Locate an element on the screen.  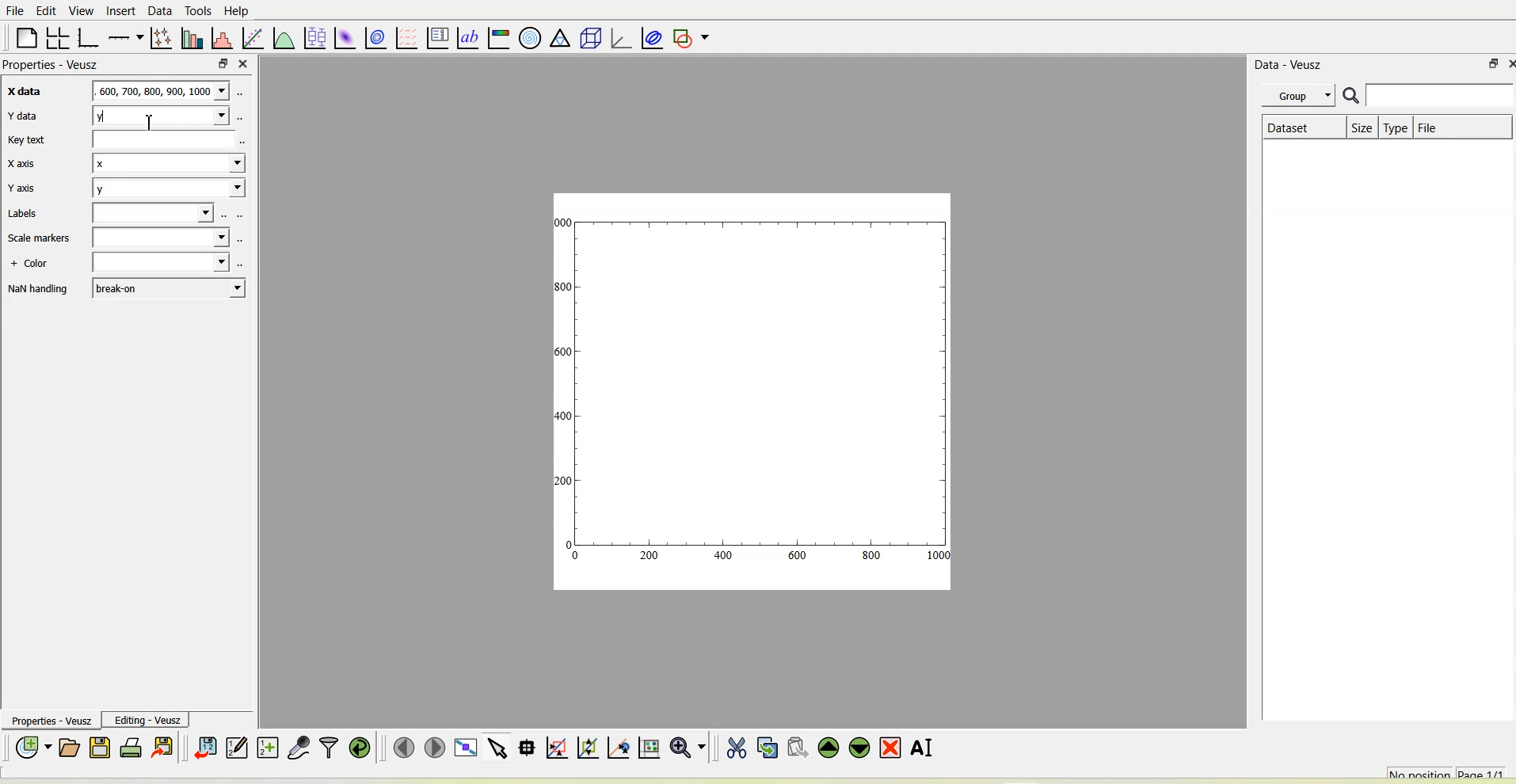
Click to recenter graph axes is located at coordinates (618, 748).